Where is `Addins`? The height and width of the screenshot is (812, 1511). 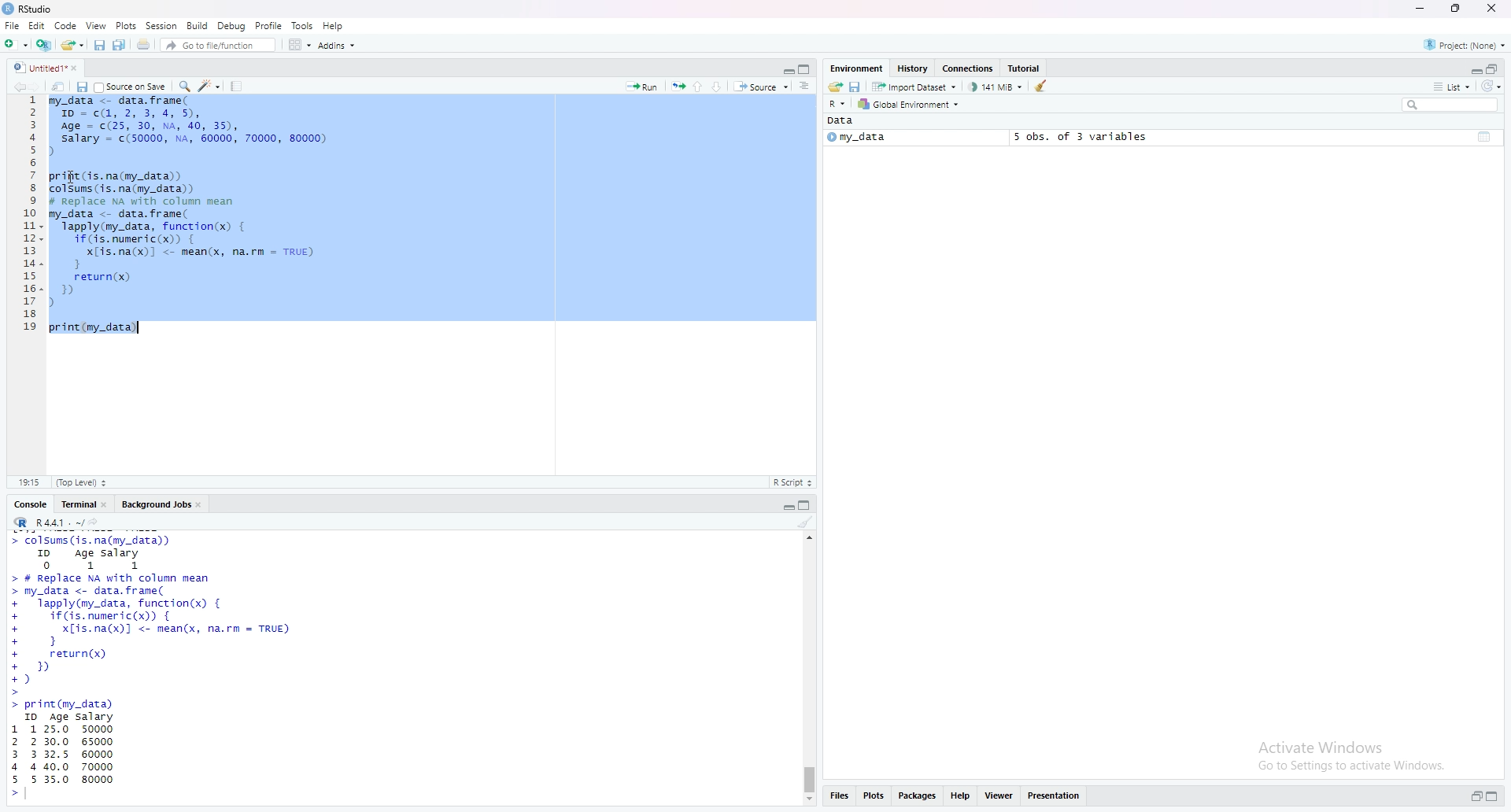
Addins is located at coordinates (338, 46).